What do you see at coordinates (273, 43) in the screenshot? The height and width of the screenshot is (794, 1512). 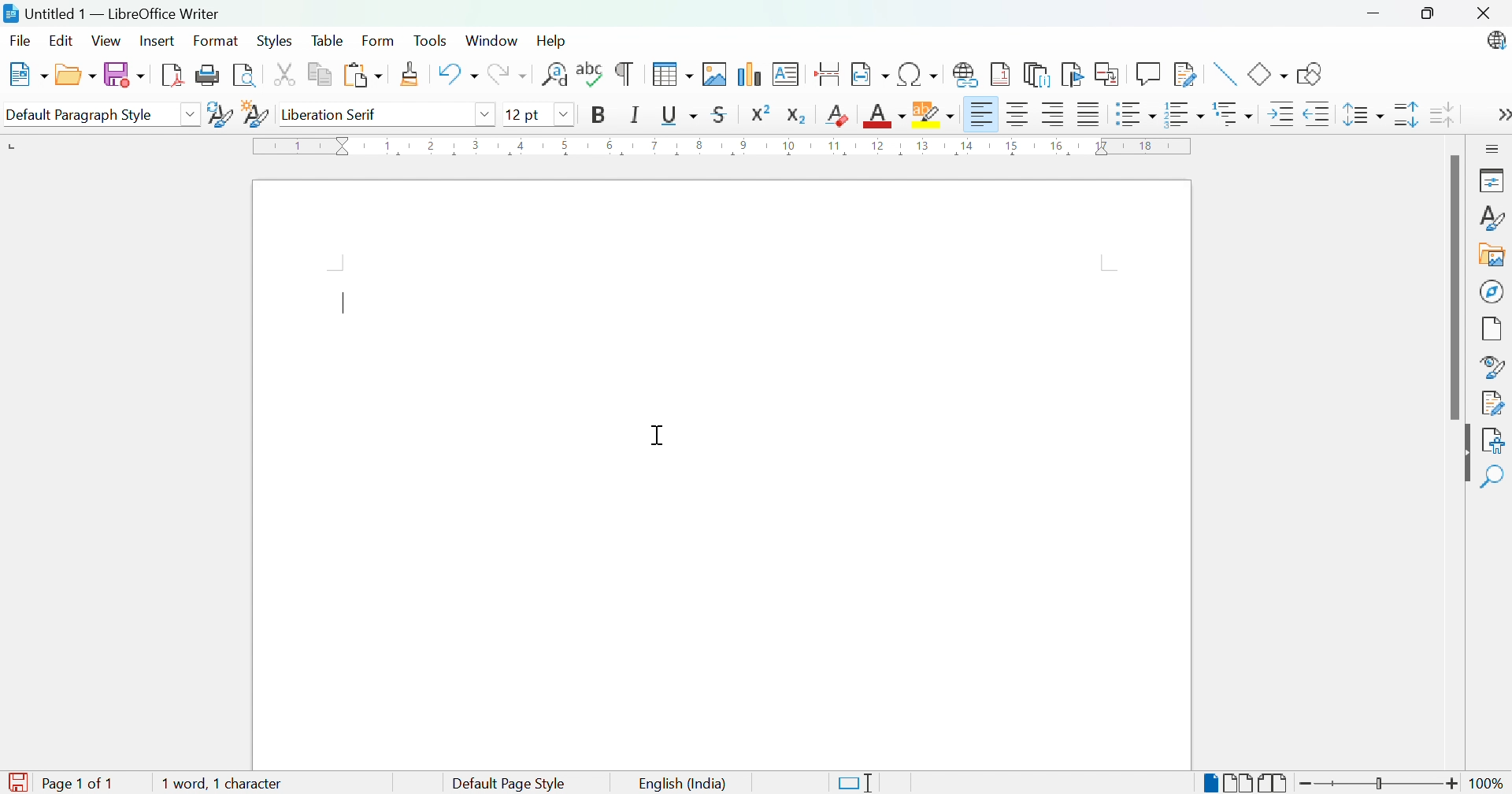 I see `Styles` at bounding box center [273, 43].